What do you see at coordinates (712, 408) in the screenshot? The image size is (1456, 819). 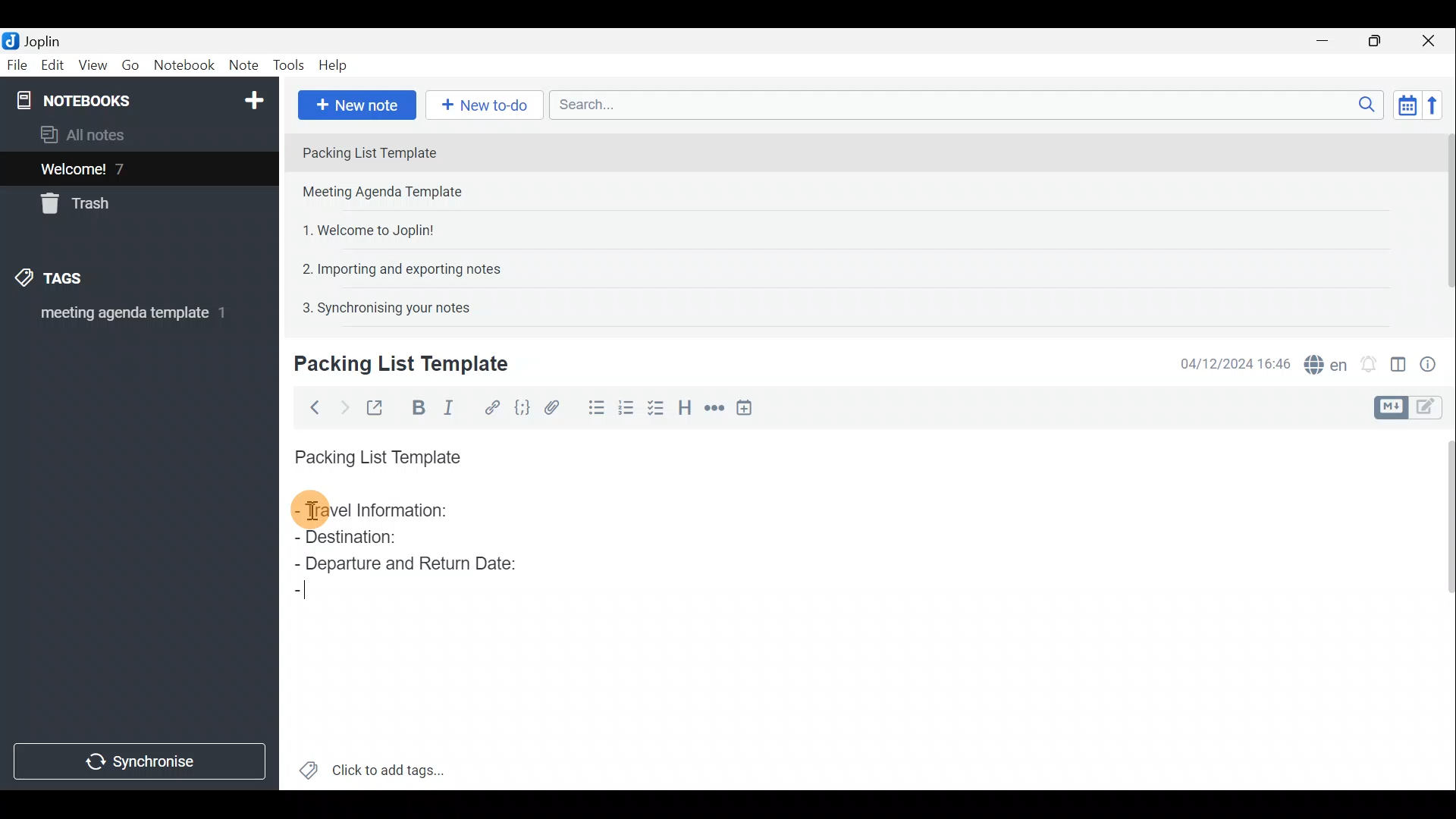 I see `Horizontal rule` at bounding box center [712, 408].